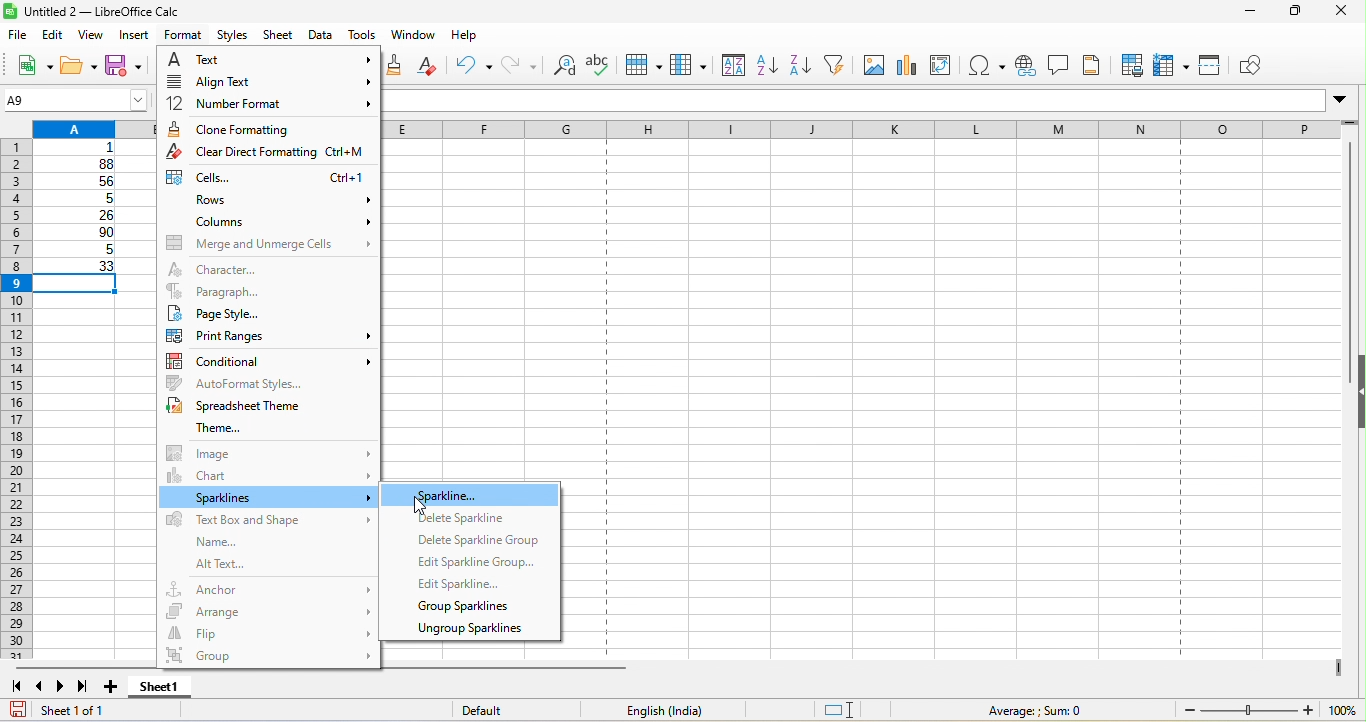 This screenshot has width=1366, height=722. What do you see at coordinates (598, 70) in the screenshot?
I see `spelling` at bounding box center [598, 70].